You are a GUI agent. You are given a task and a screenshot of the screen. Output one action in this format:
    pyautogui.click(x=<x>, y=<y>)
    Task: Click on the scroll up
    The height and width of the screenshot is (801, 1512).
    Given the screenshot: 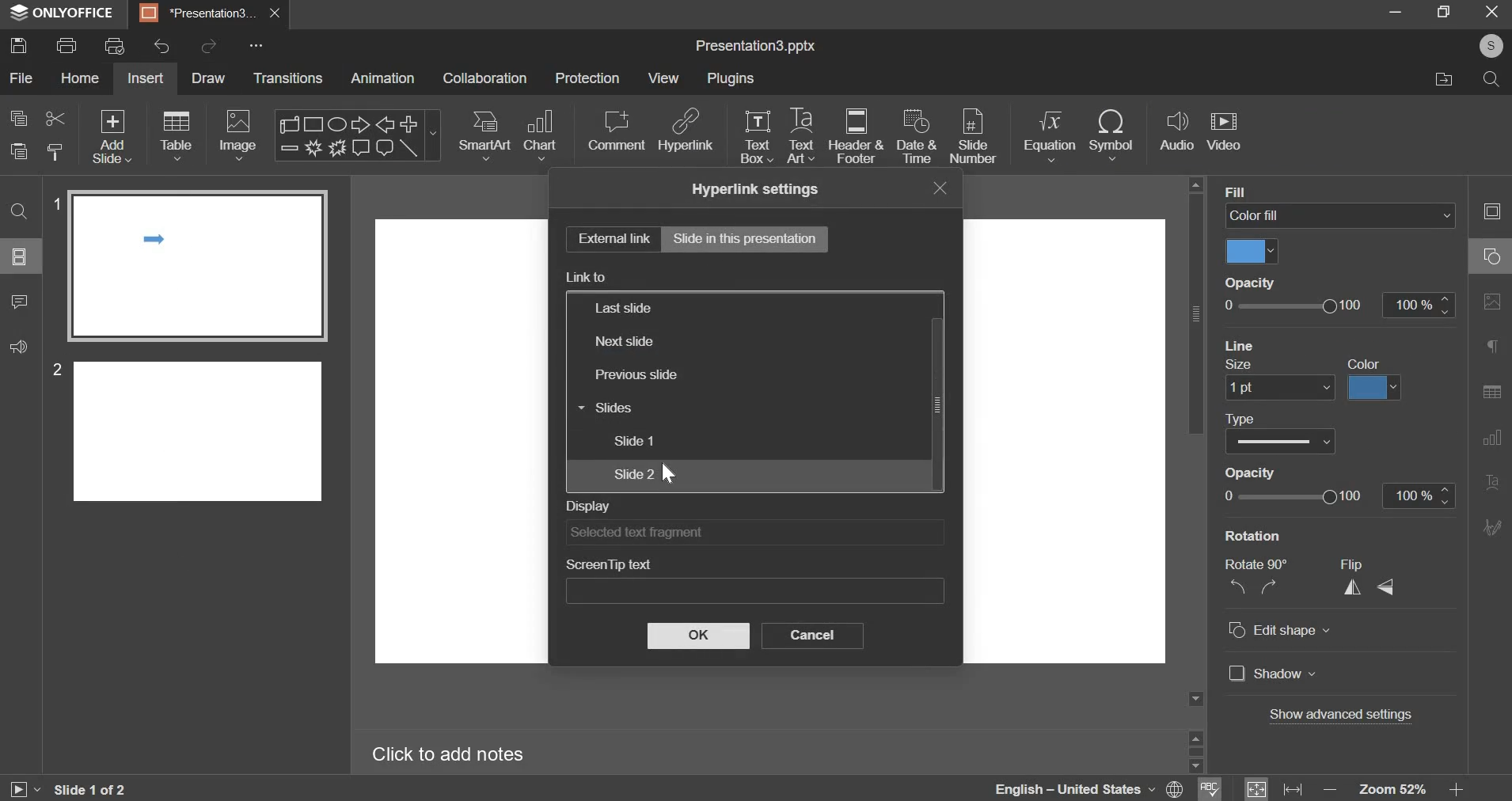 What is the action you would take?
    pyautogui.click(x=1195, y=736)
    